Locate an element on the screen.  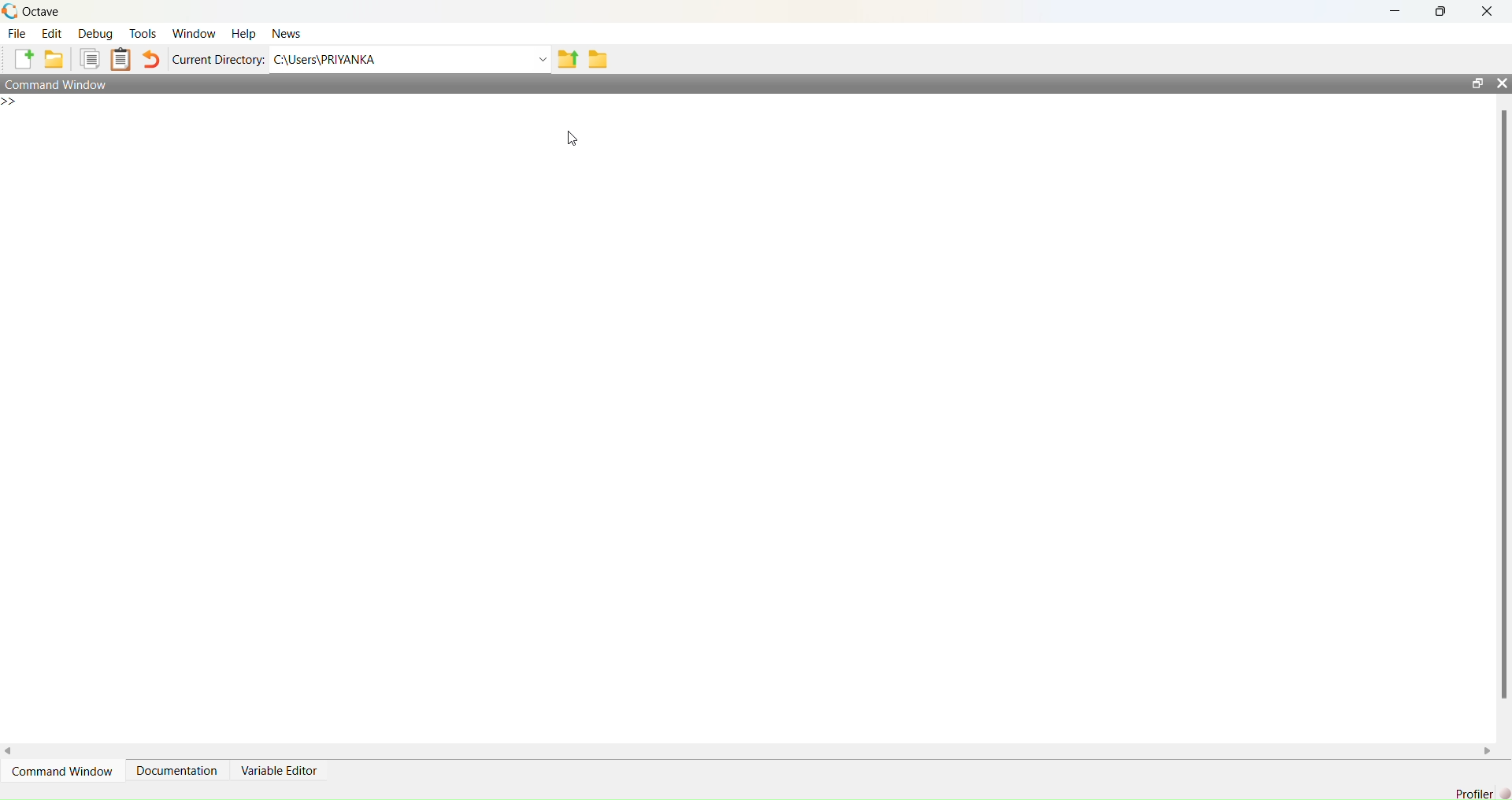
minimise is located at coordinates (1399, 9).